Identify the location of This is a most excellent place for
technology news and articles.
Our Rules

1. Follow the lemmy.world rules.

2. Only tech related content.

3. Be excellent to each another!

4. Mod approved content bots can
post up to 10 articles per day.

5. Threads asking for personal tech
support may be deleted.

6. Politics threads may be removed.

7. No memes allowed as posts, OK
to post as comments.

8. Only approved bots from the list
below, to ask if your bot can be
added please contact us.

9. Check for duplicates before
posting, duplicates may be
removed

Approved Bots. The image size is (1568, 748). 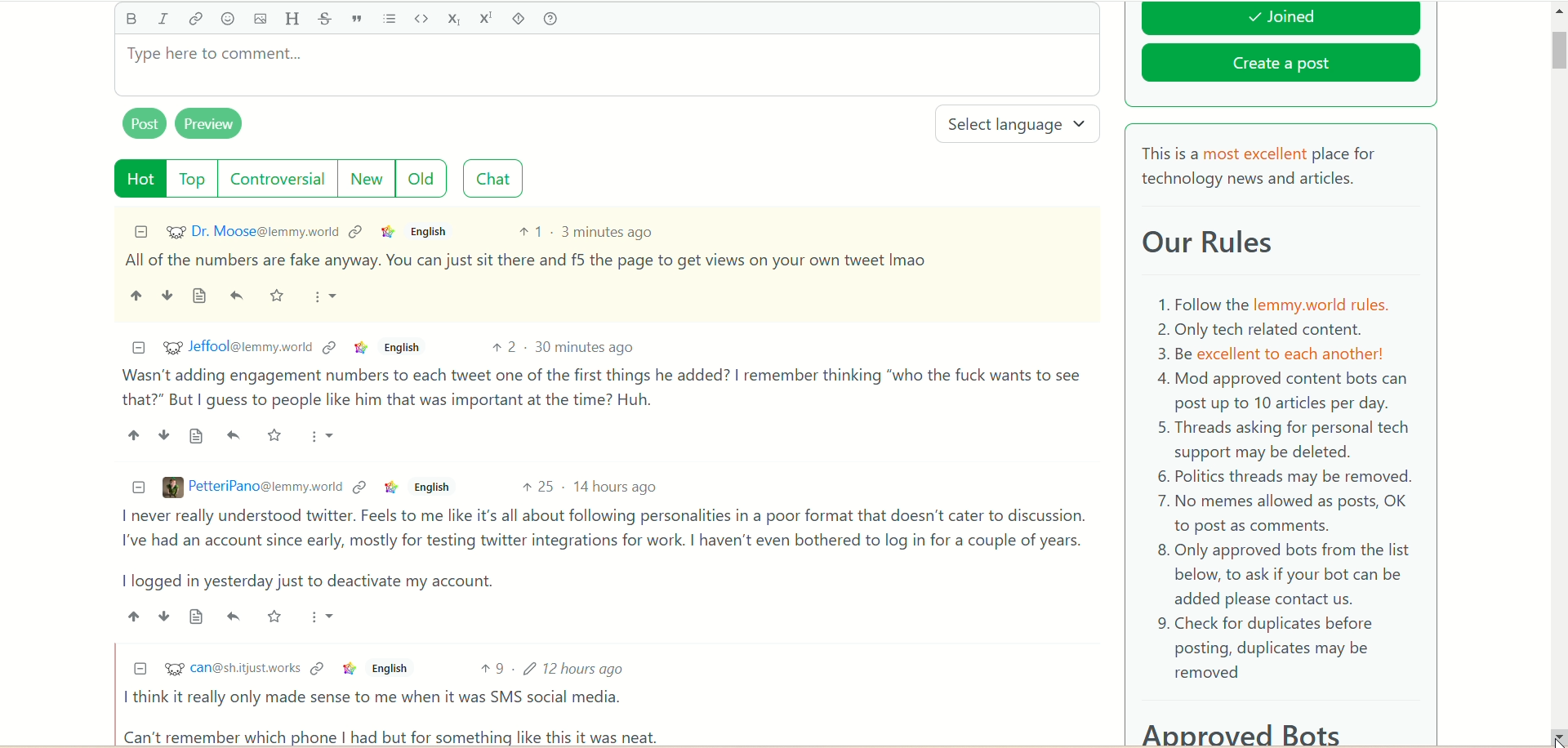
(1281, 440).